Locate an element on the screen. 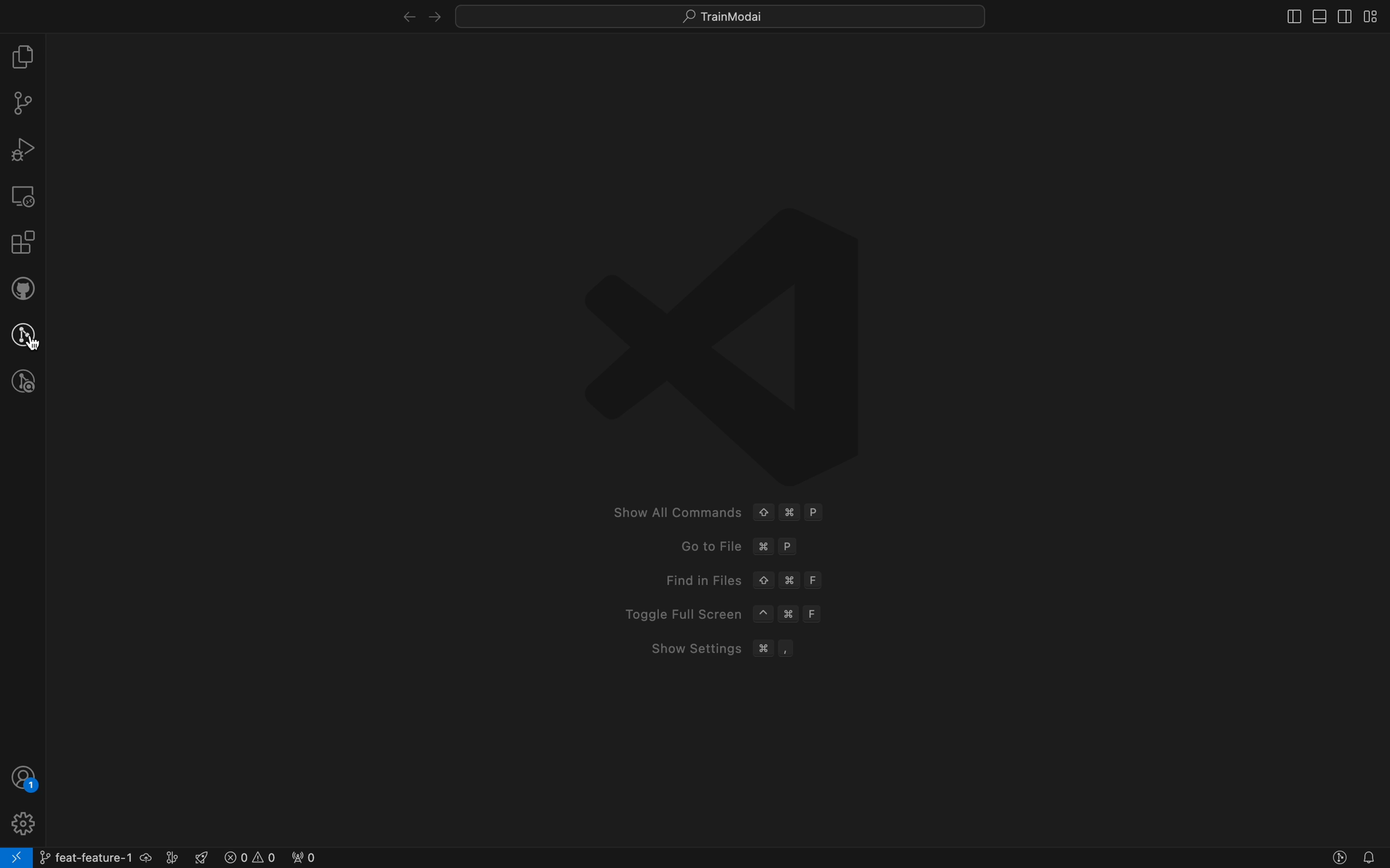  layout is located at coordinates (1374, 18).